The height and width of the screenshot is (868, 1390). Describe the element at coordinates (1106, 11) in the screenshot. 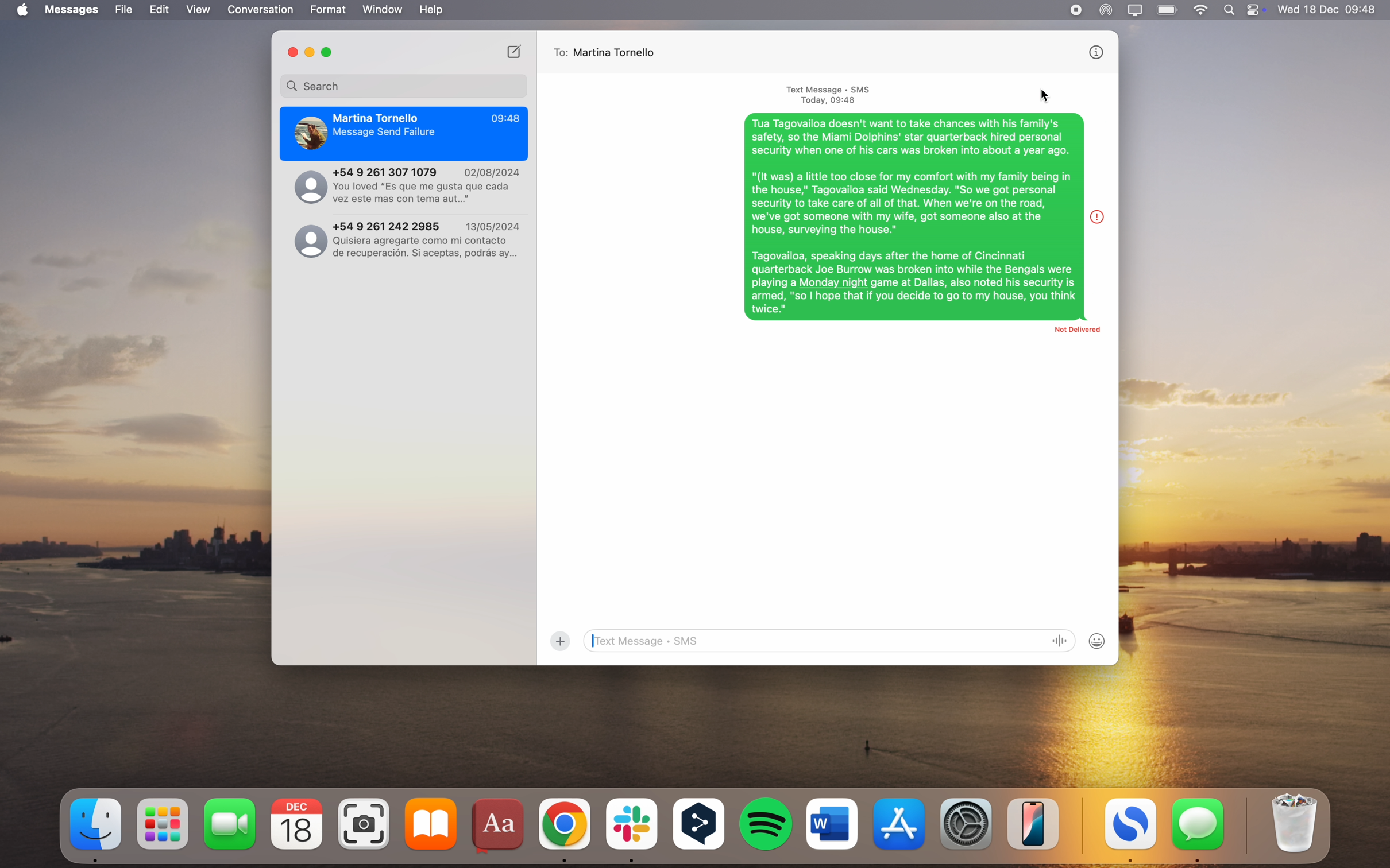

I see `Airdrop` at that location.